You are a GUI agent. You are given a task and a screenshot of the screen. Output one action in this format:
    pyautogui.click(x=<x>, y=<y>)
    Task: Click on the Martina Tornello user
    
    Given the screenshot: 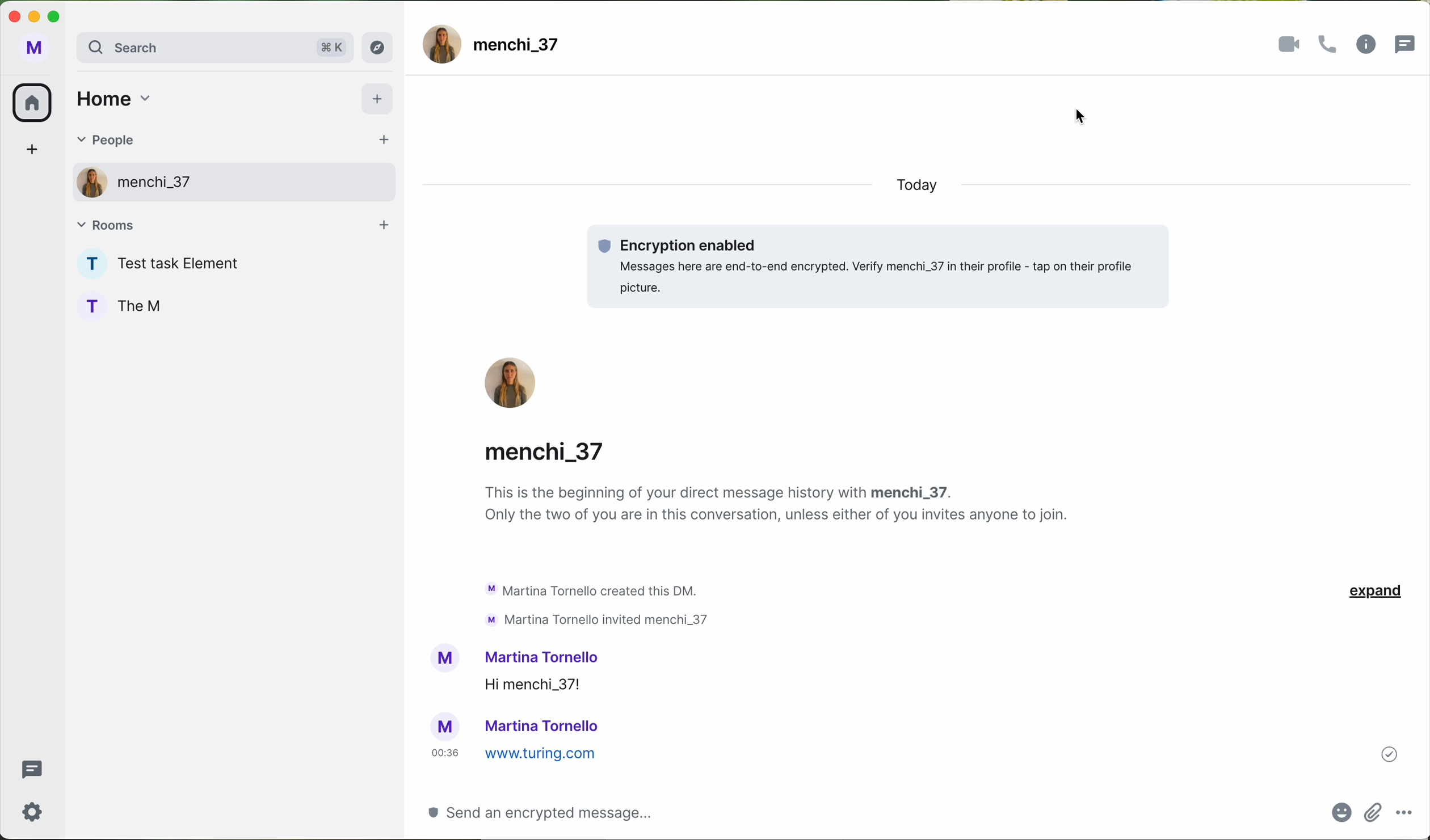 What is the action you would take?
    pyautogui.click(x=548, y=725)
    